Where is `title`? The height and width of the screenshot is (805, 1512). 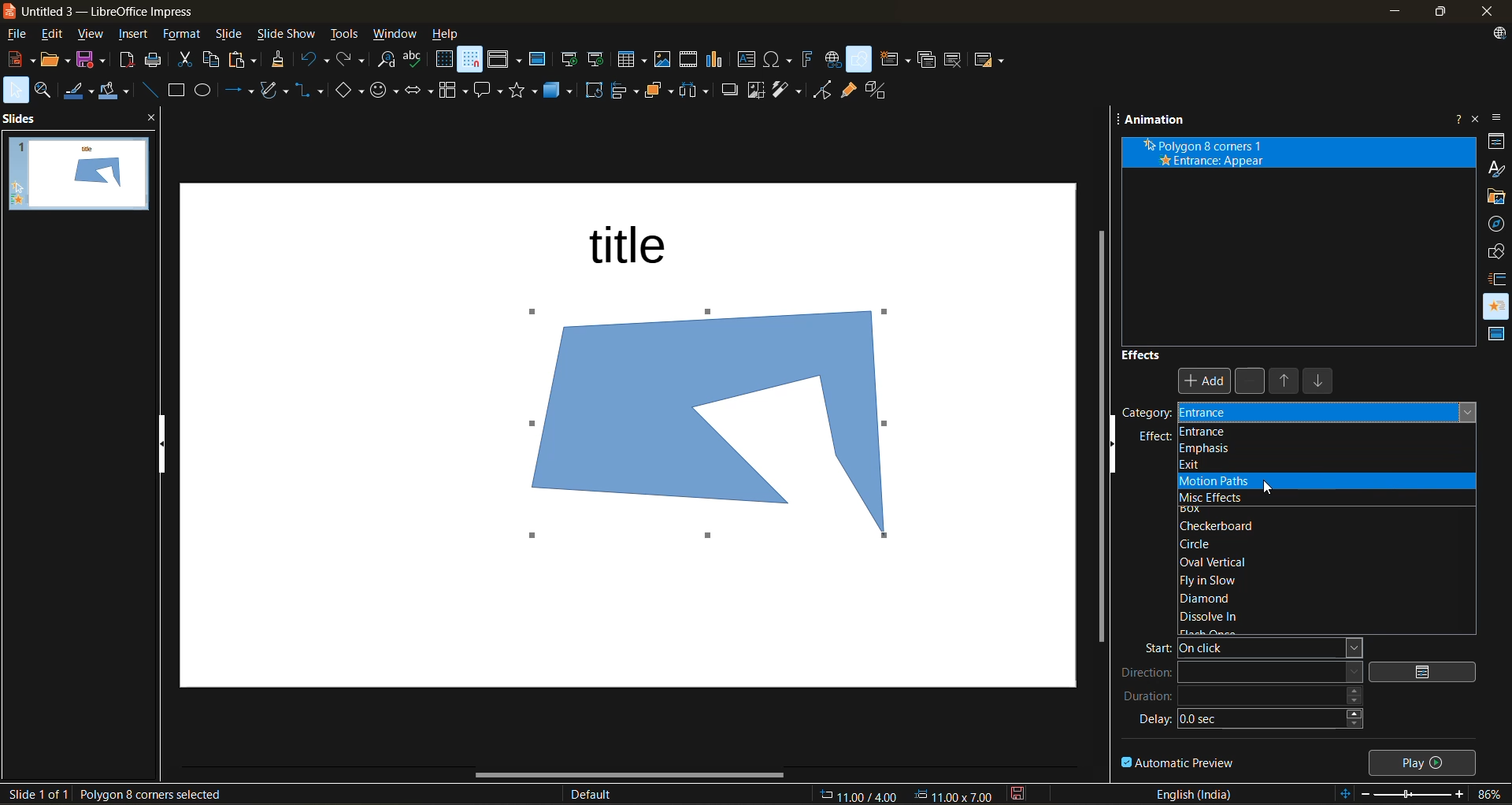
title is located at coordinates (632, 244).